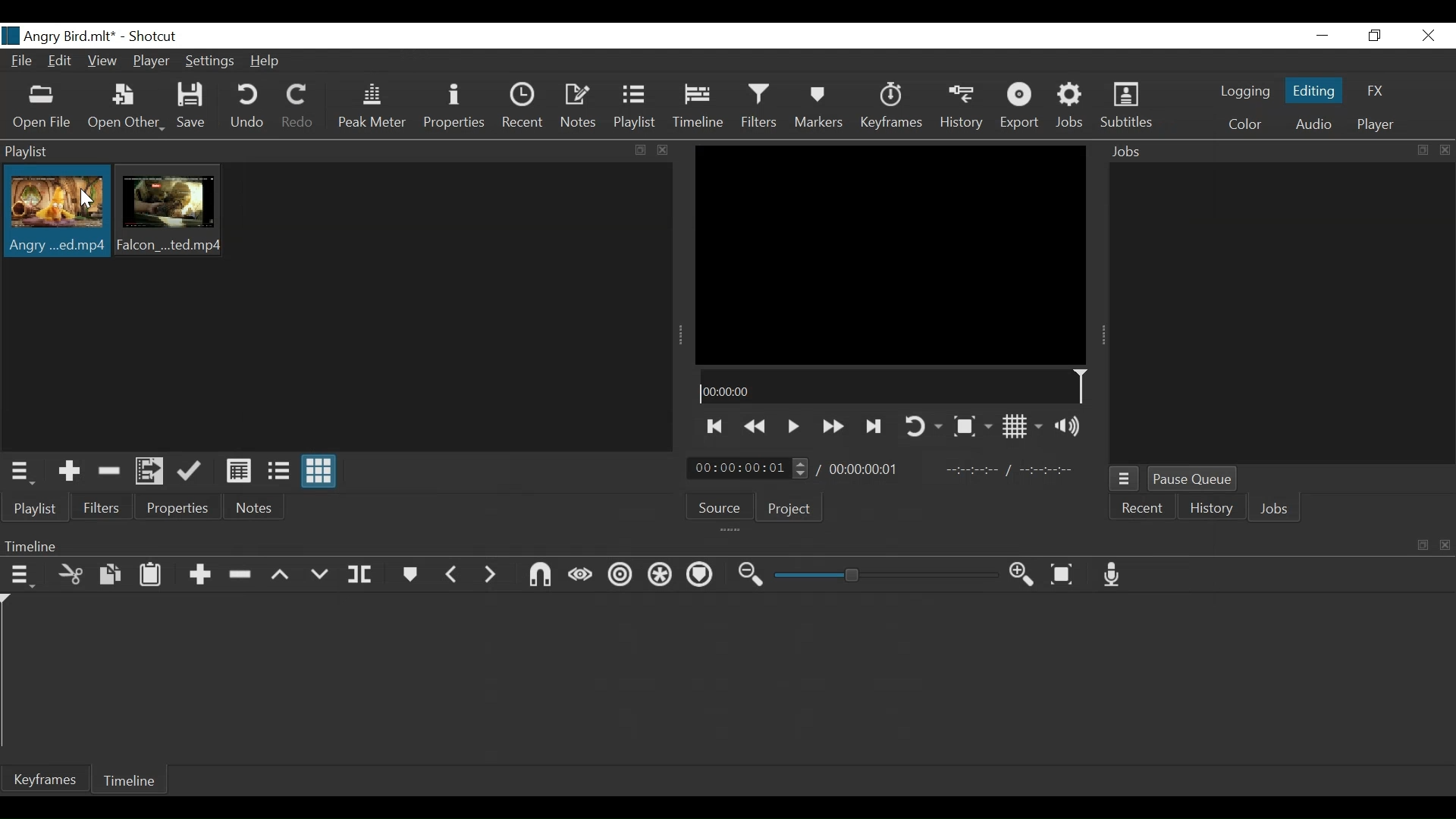  Describe the element at coordinates (319, 472) in the screenshot. I see `View as Icon` at that location.